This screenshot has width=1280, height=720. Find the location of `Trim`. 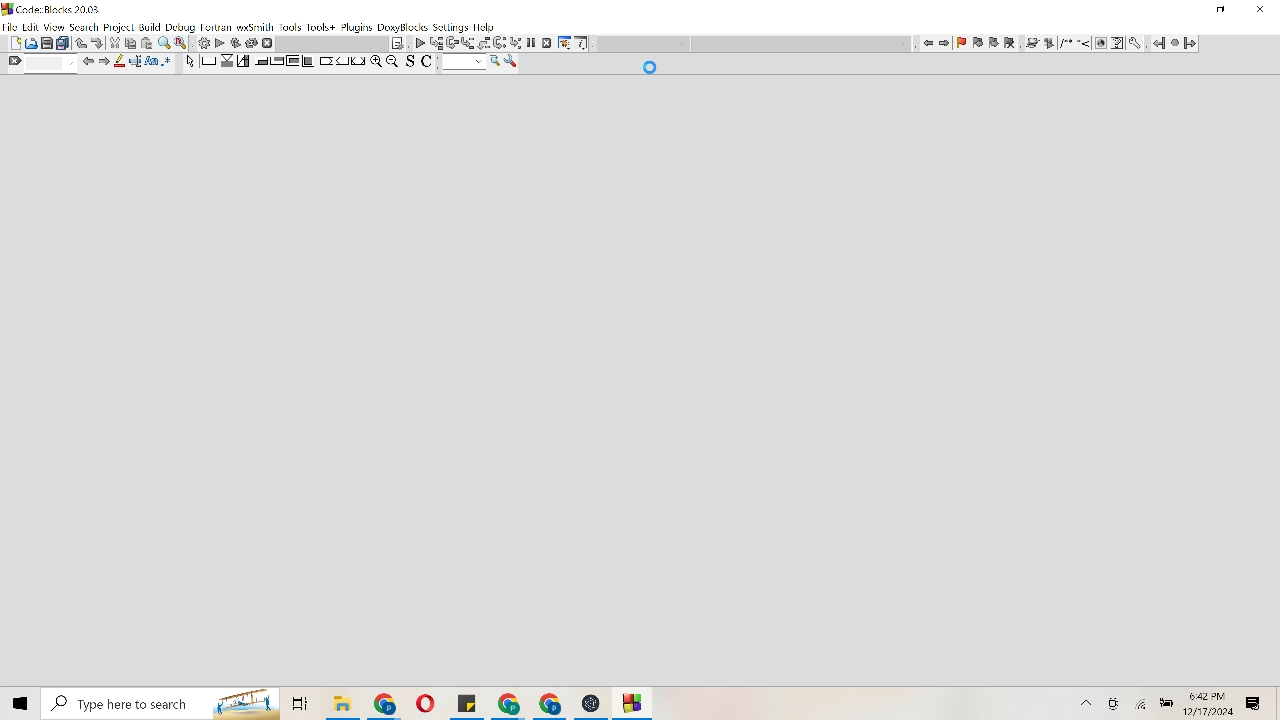

Trim is located at coordinates (114, 42).